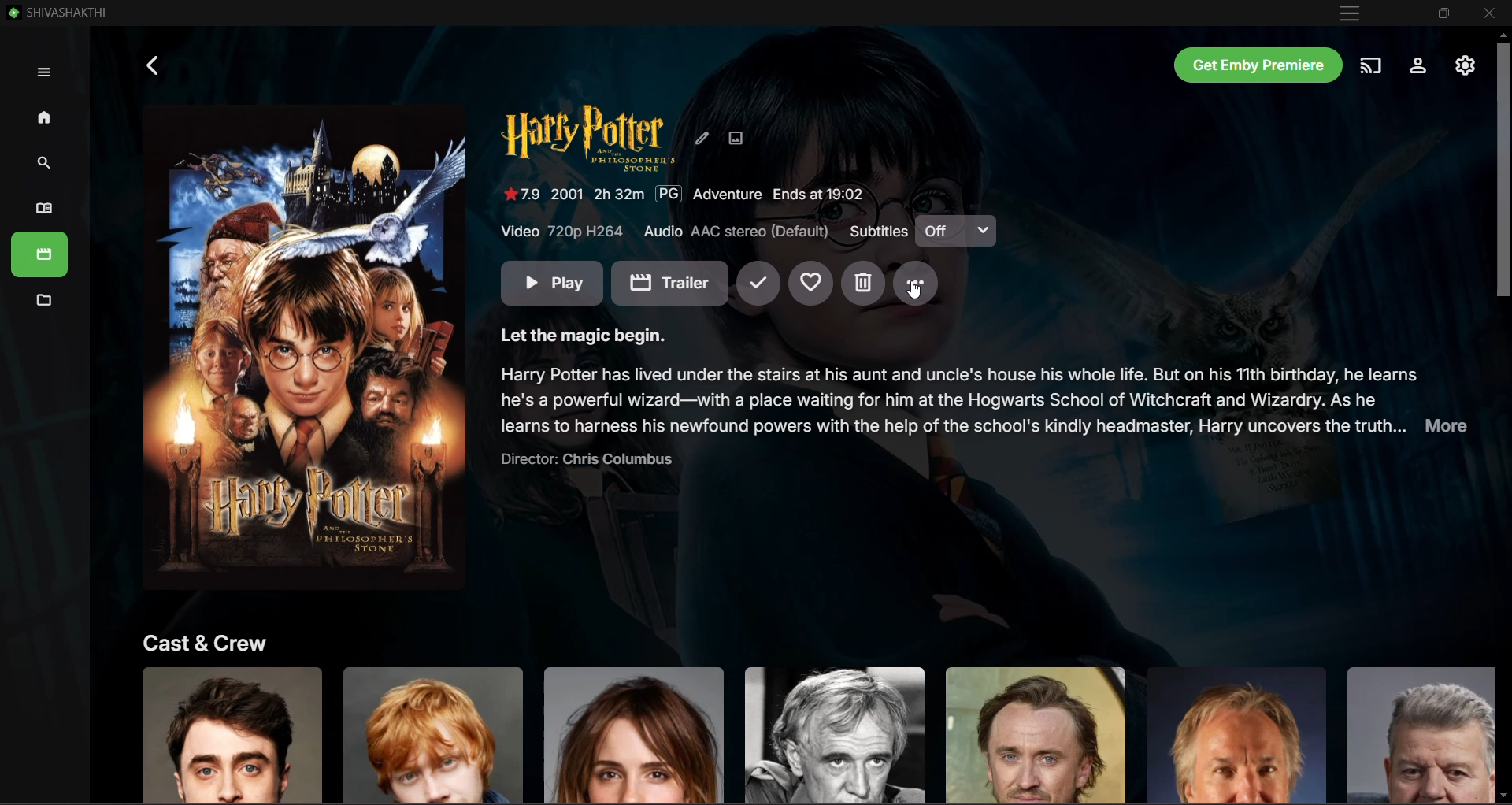 The width and height of the screenshot is (1512, 805). What do you see at coordinates (40, 254) in the screenshot?
I see `Books` at bounding box center [40, 254].